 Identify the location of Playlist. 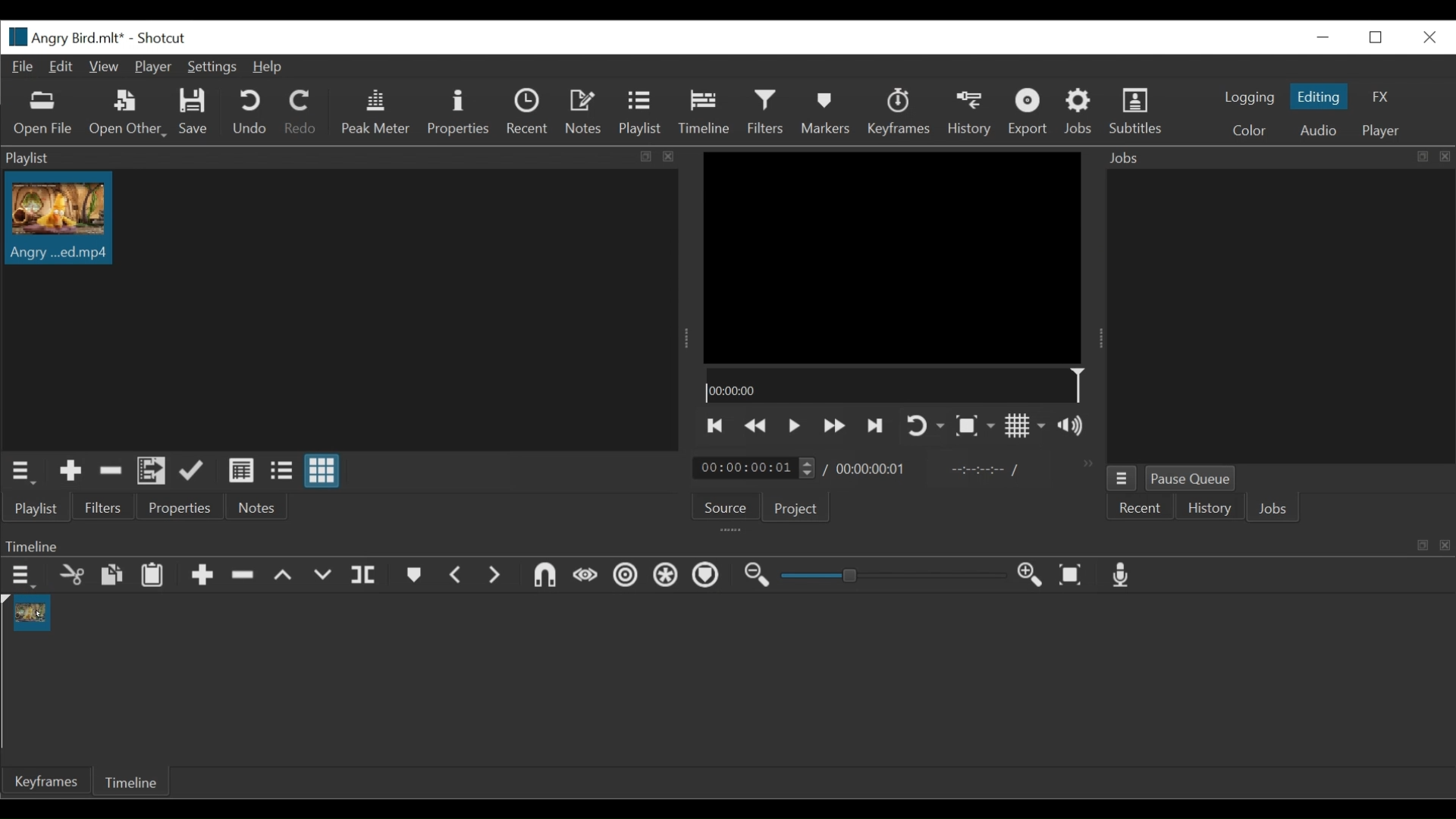
(639, 114).